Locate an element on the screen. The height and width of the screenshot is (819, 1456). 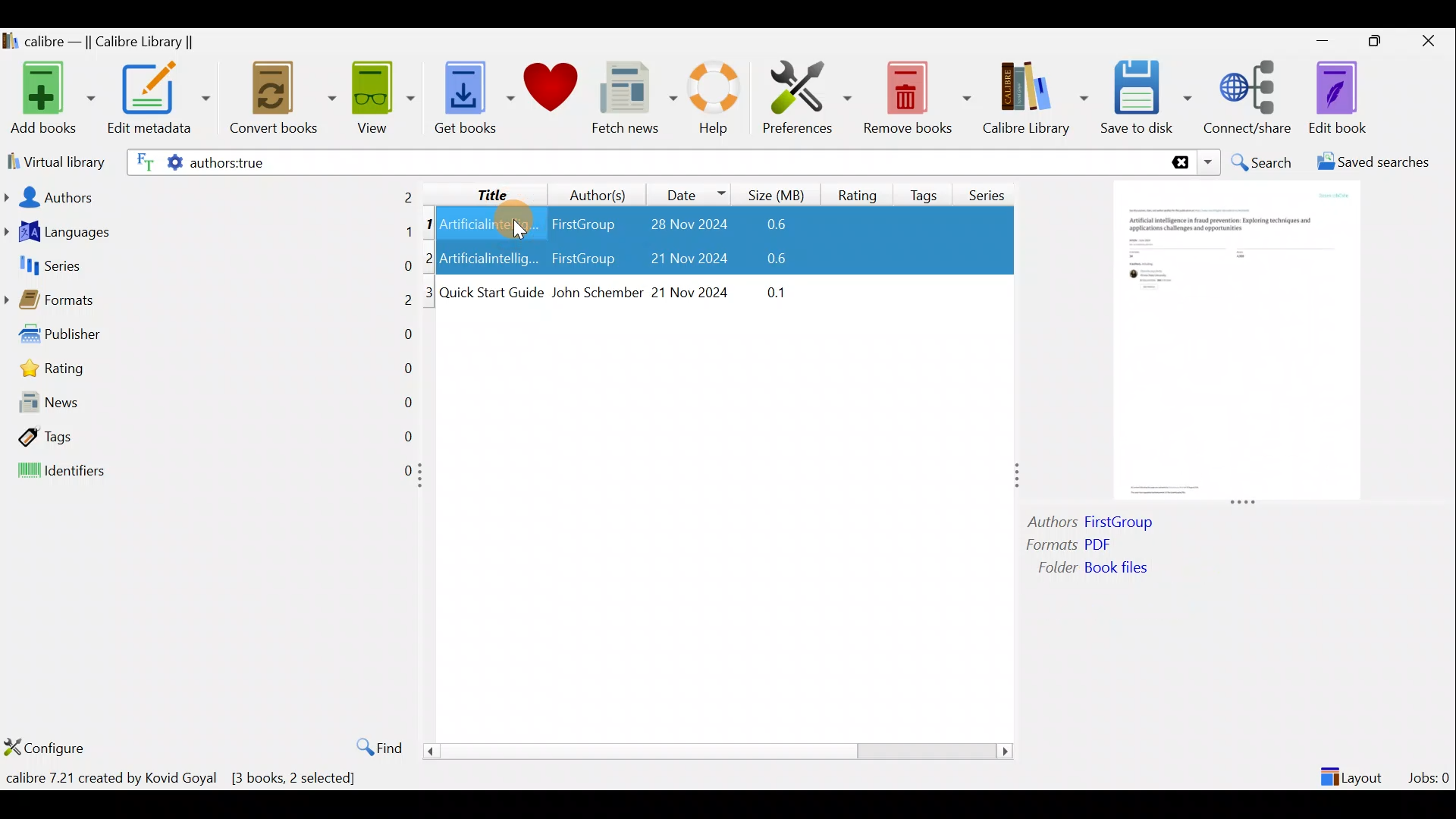
calibre 7.21 created by Kovid Goyal [3 books, 2 selected] is located at coordinates (181, 781).